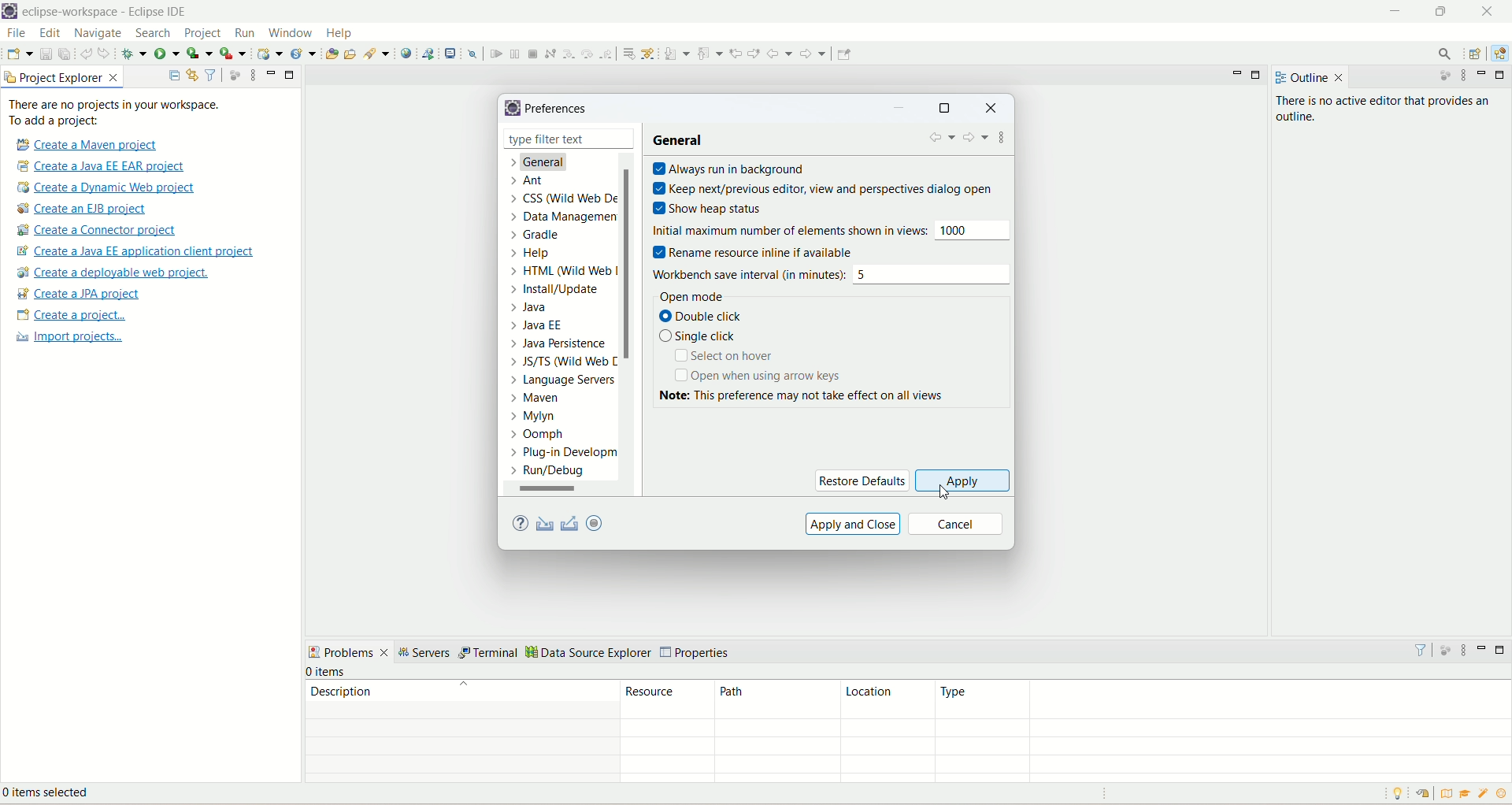 The width and height of the screenshot is (1512, 805). Describe the element at coordinates (472, 53) in the screenshot. I see `skip all break points` at that location.